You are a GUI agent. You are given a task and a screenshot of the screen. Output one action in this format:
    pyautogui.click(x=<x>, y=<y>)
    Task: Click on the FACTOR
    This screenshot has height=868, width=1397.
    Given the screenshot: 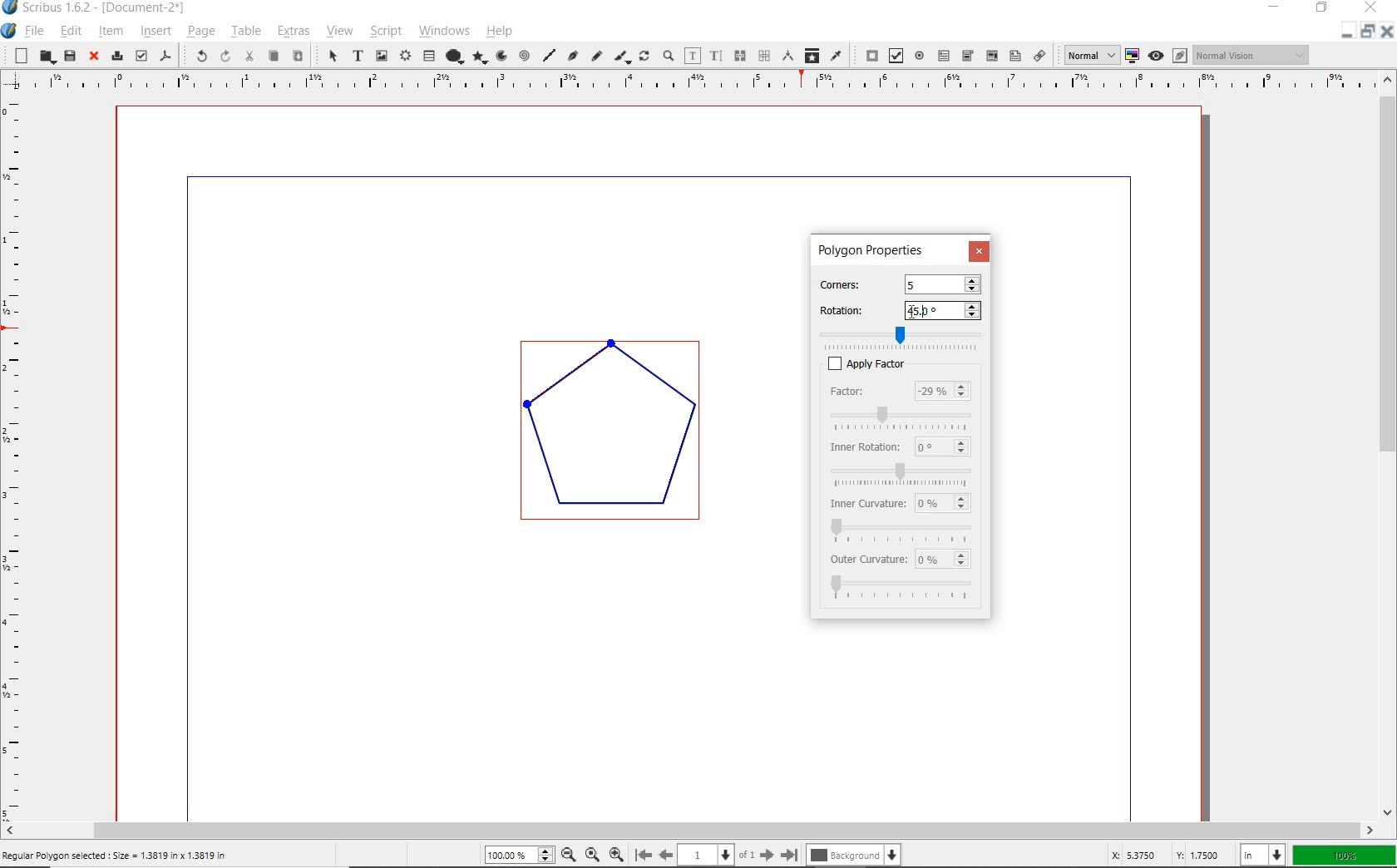 What is the action you would take?
    pyautogui.click(x=865, y=392)
    